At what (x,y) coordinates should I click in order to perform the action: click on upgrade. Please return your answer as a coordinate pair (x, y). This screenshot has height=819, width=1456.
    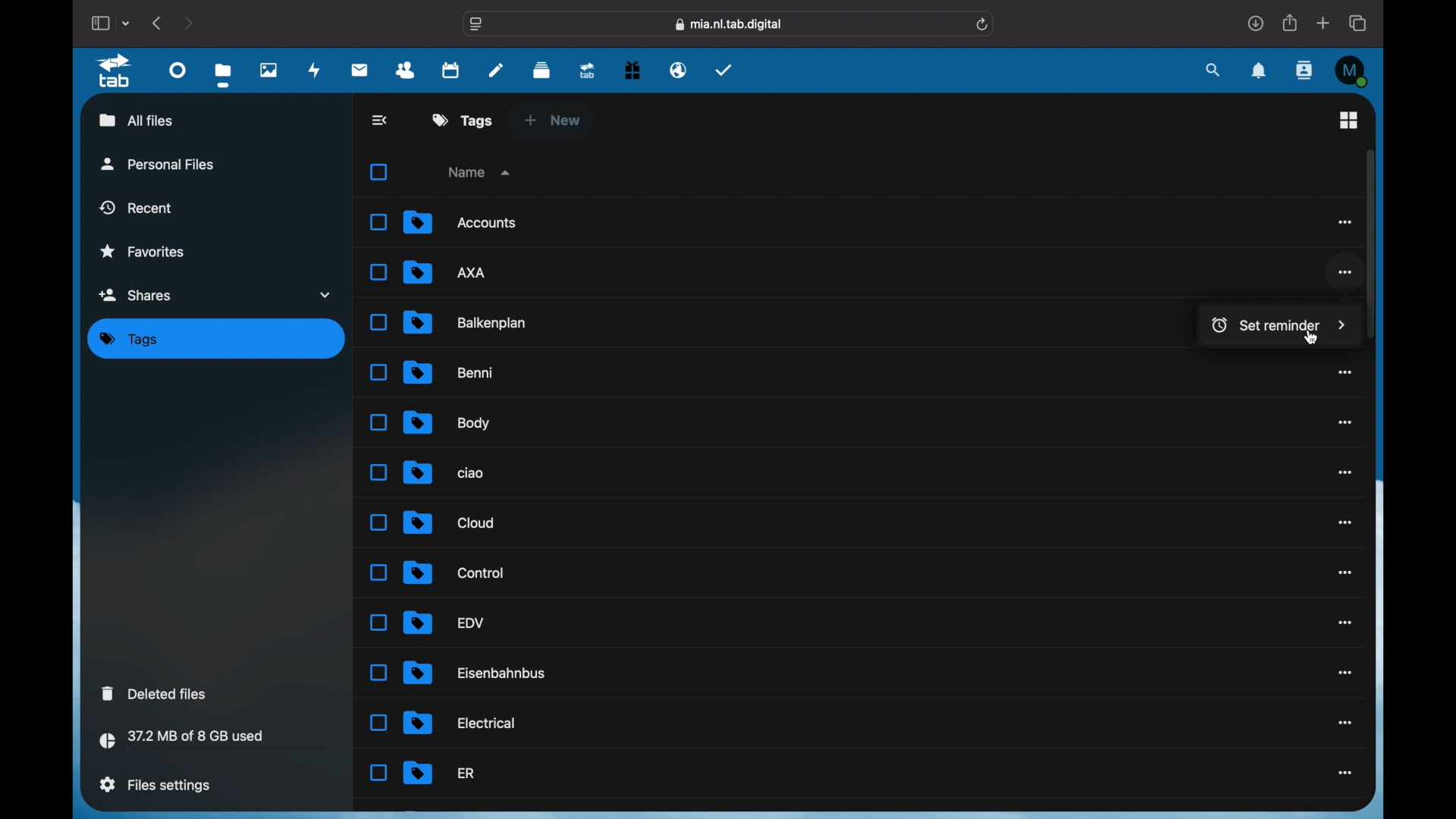
    Looking at the image, I should click on (587, 70).